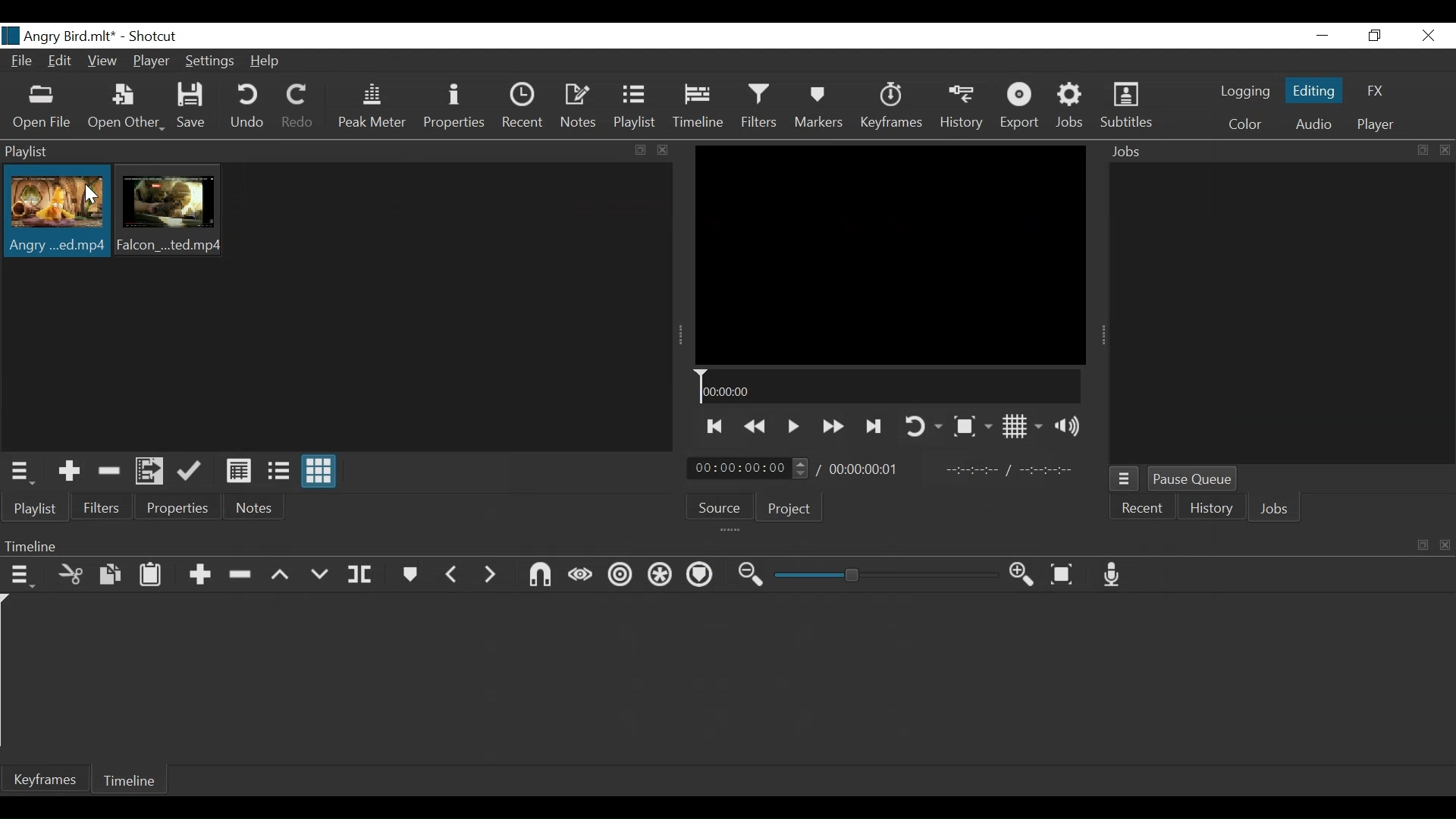 The image size is (1456, 819). I want to click on Jobs, so click(1072, 108).